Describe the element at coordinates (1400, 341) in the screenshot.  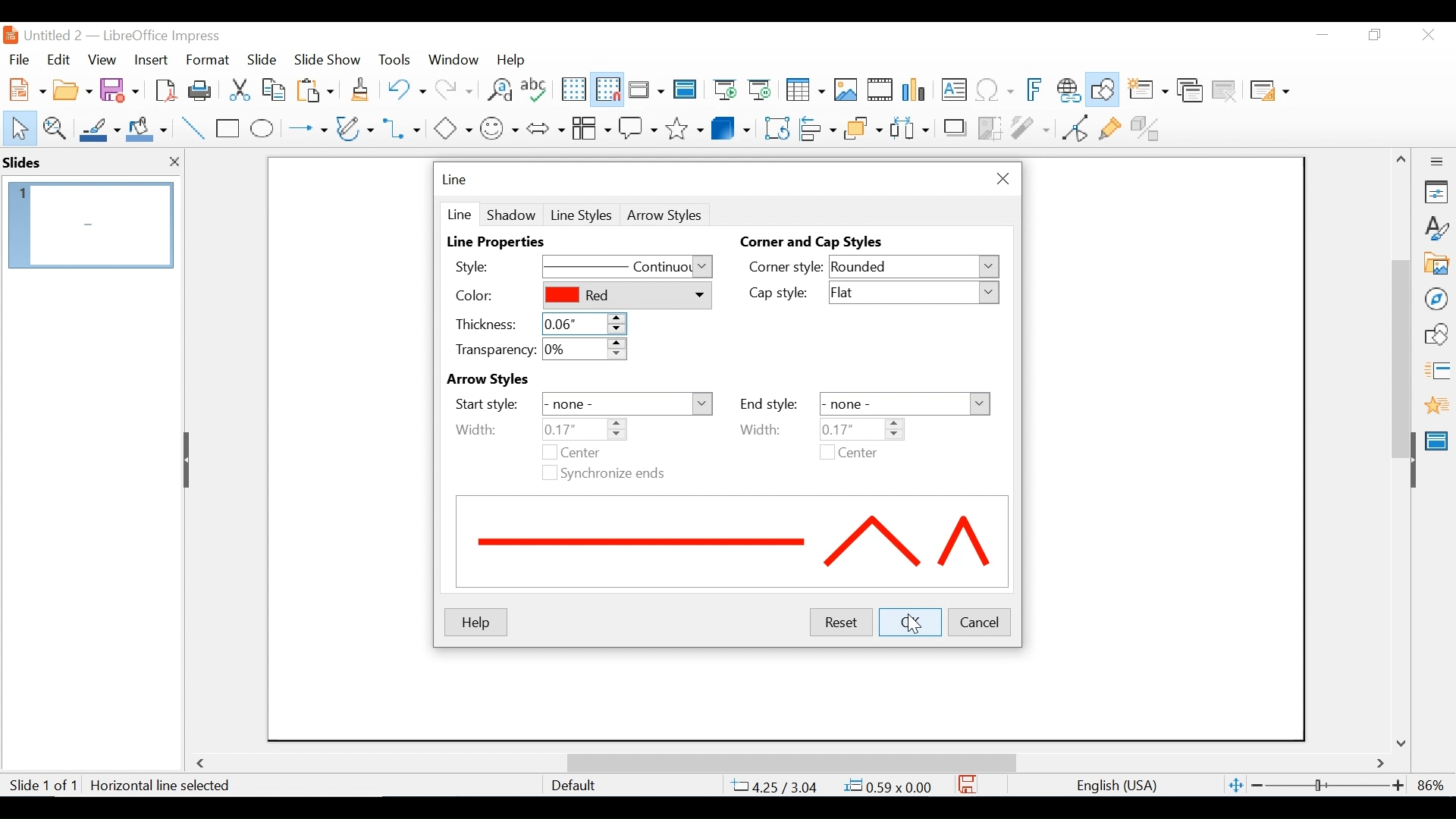
I see `Vertical Scrollbar` at that location.